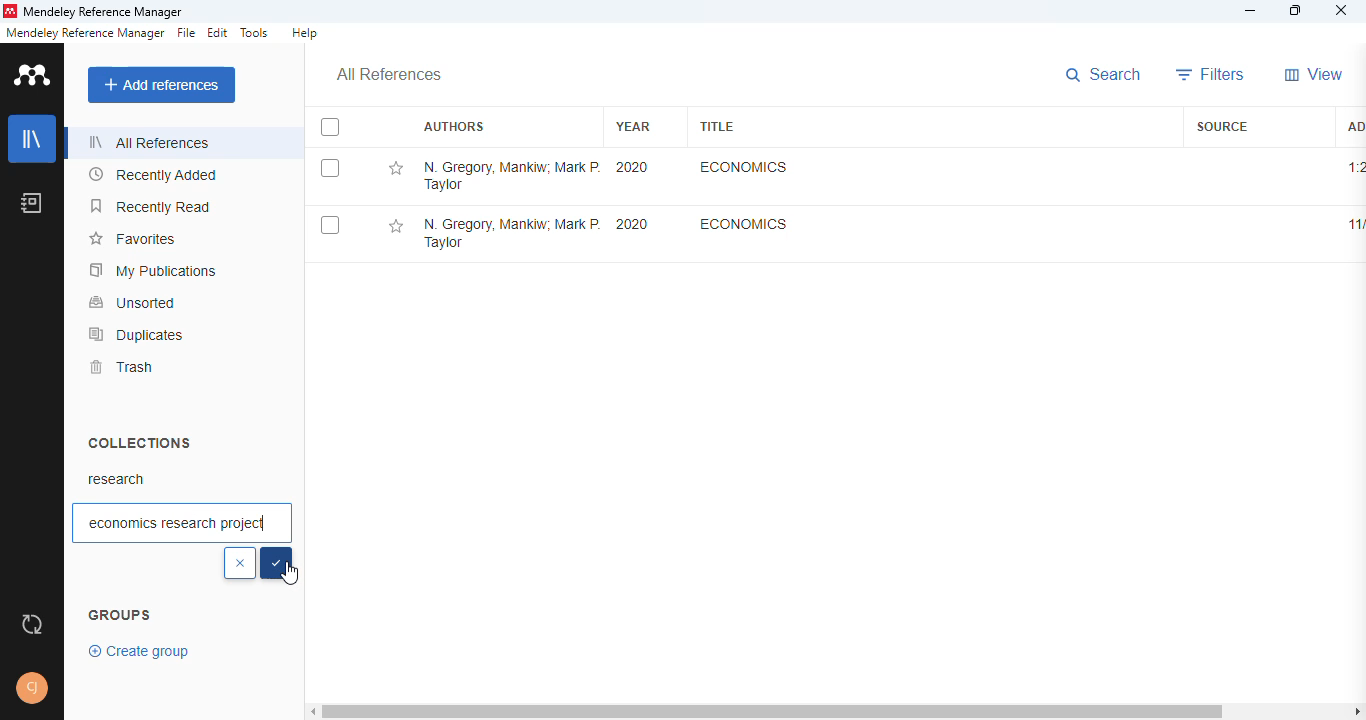 Image resolution: width=1366 pixels, height=720 pixels. I want to click on all references, so click(389, 75).